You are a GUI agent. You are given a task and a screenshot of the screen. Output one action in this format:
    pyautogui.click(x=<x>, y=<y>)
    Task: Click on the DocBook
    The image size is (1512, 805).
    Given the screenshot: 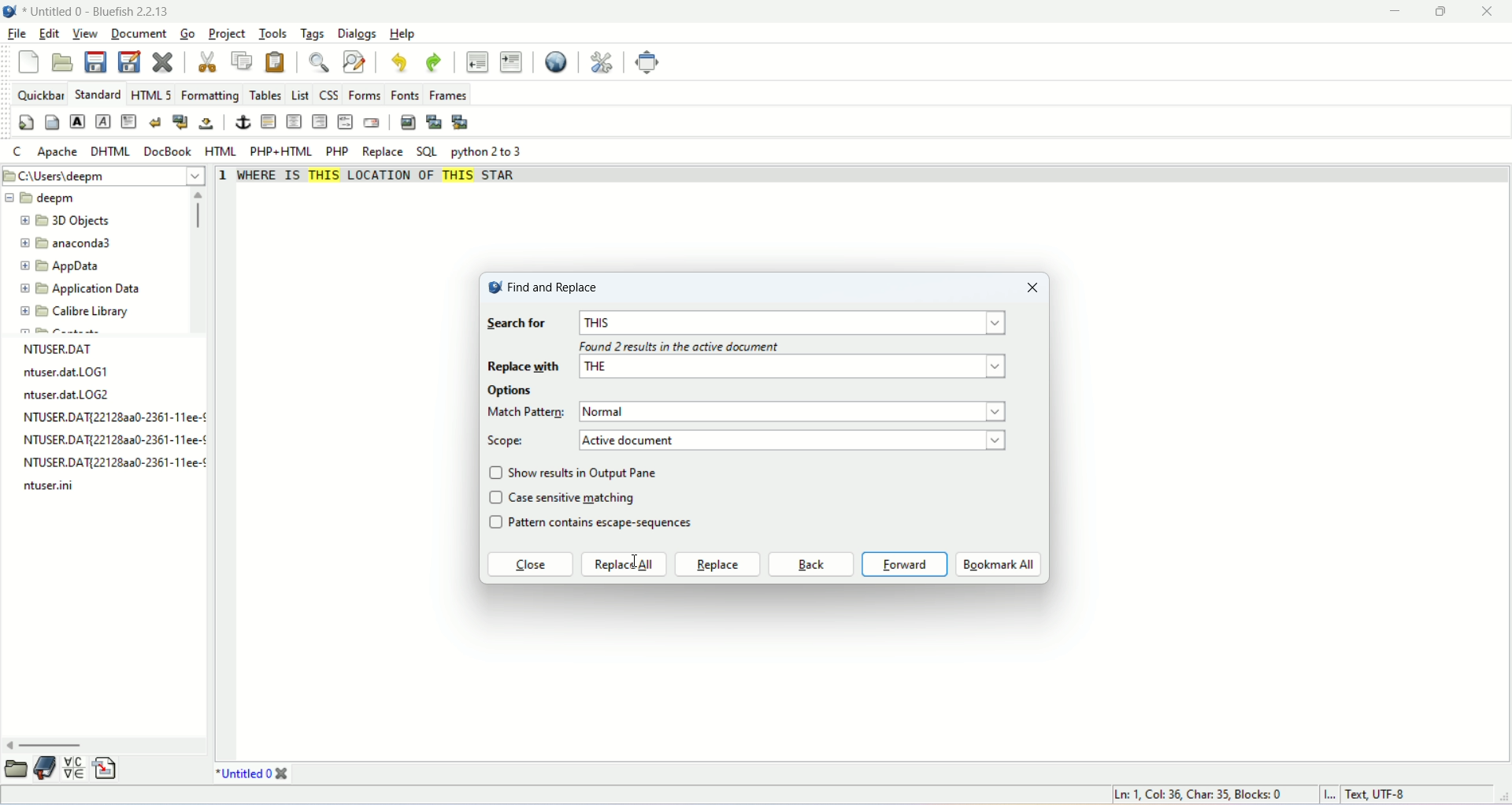 What is the action you would take?
    pyautogui.click(x=169, y=150)
    